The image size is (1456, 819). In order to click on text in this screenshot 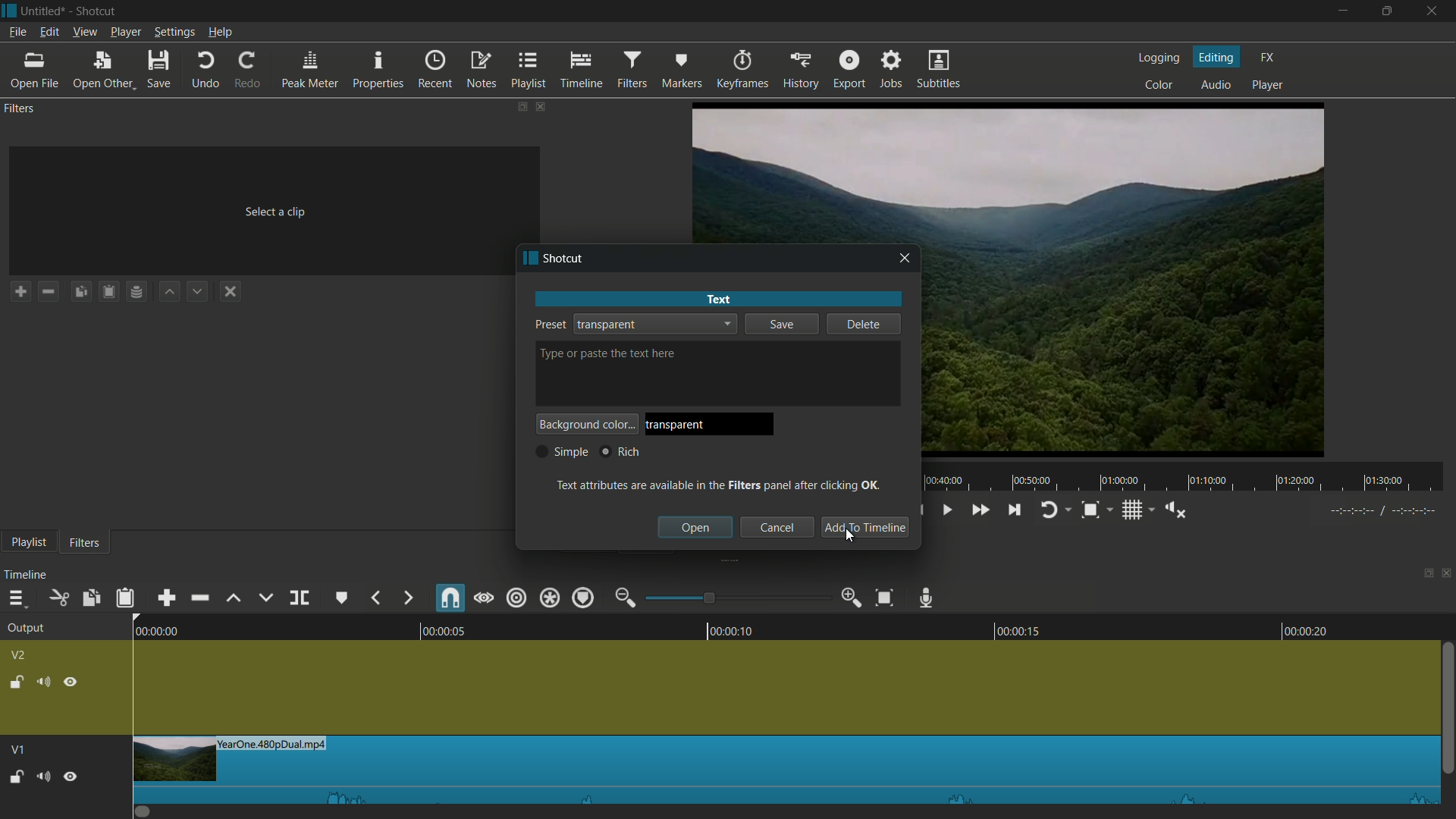, I will do `click(720, 484)`.